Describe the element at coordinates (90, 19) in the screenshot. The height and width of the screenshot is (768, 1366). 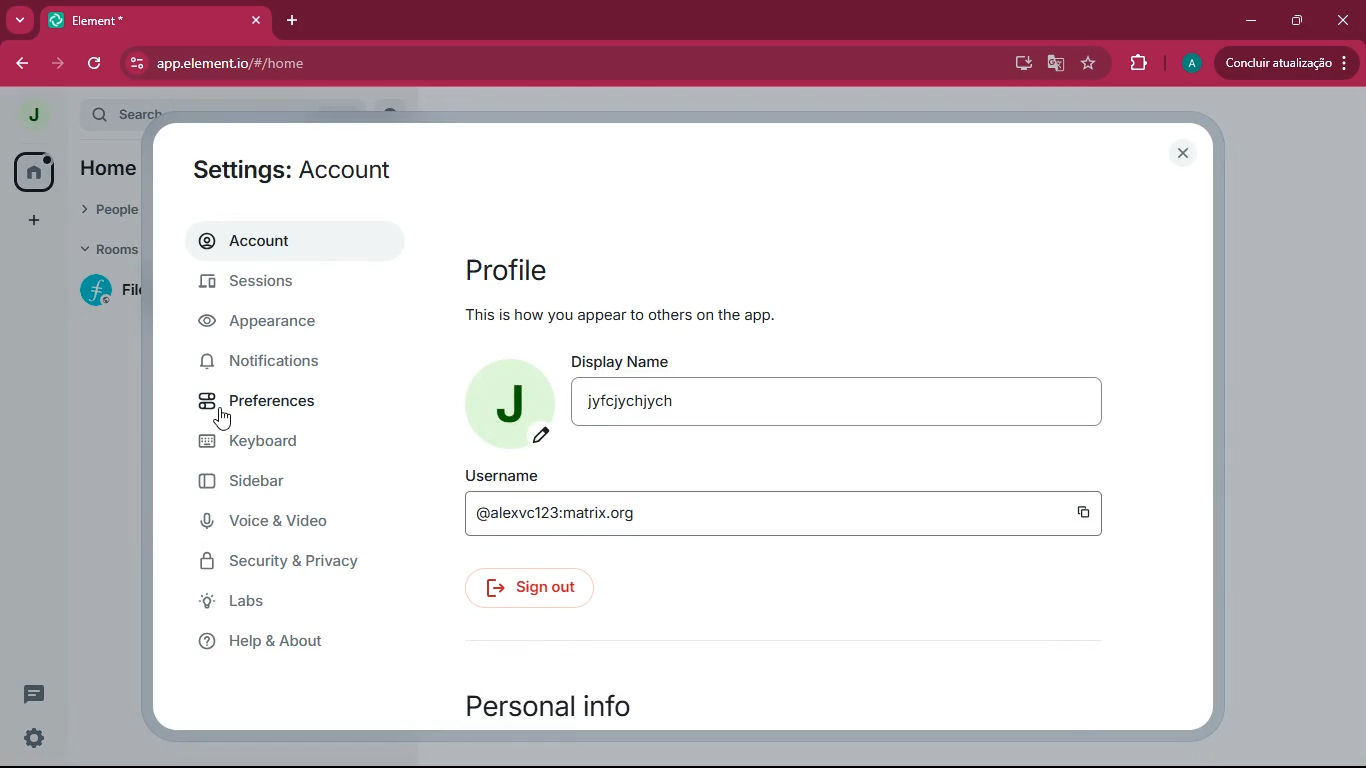
I see `element*` at that location.